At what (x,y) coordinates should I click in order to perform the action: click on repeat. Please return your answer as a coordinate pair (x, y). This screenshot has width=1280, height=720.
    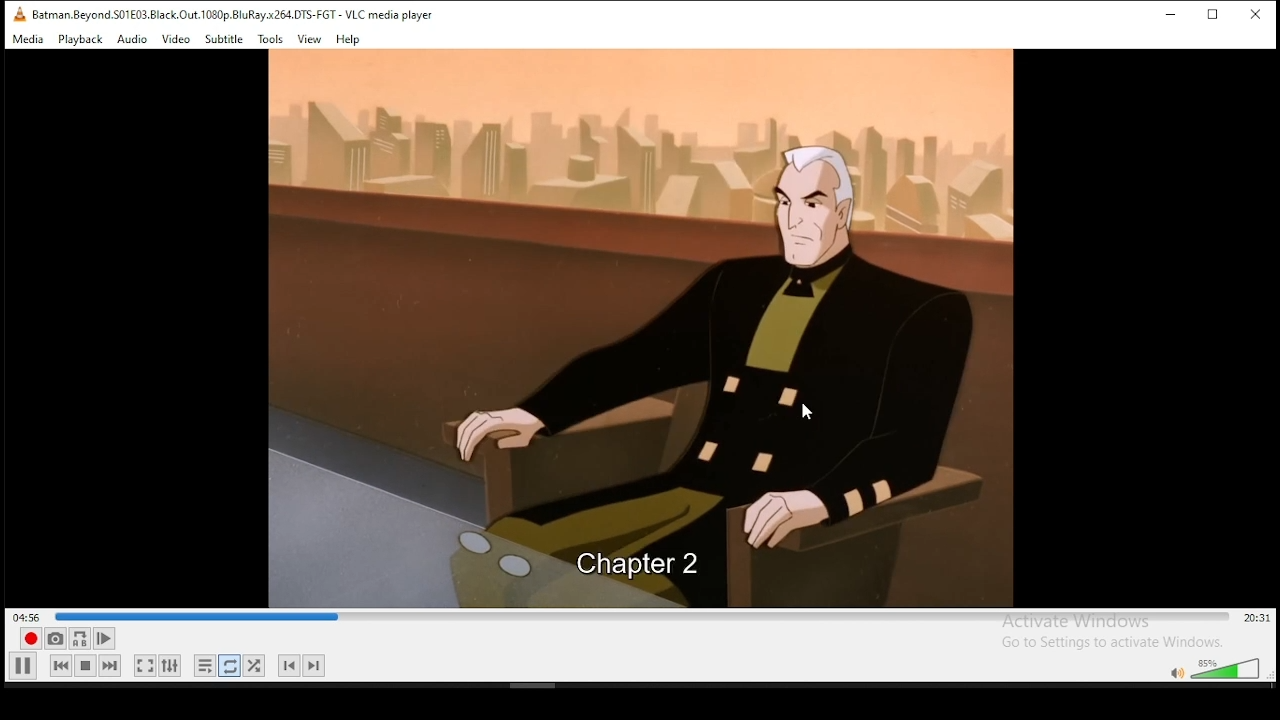
    Looking at the image, I should click on (231, 668).